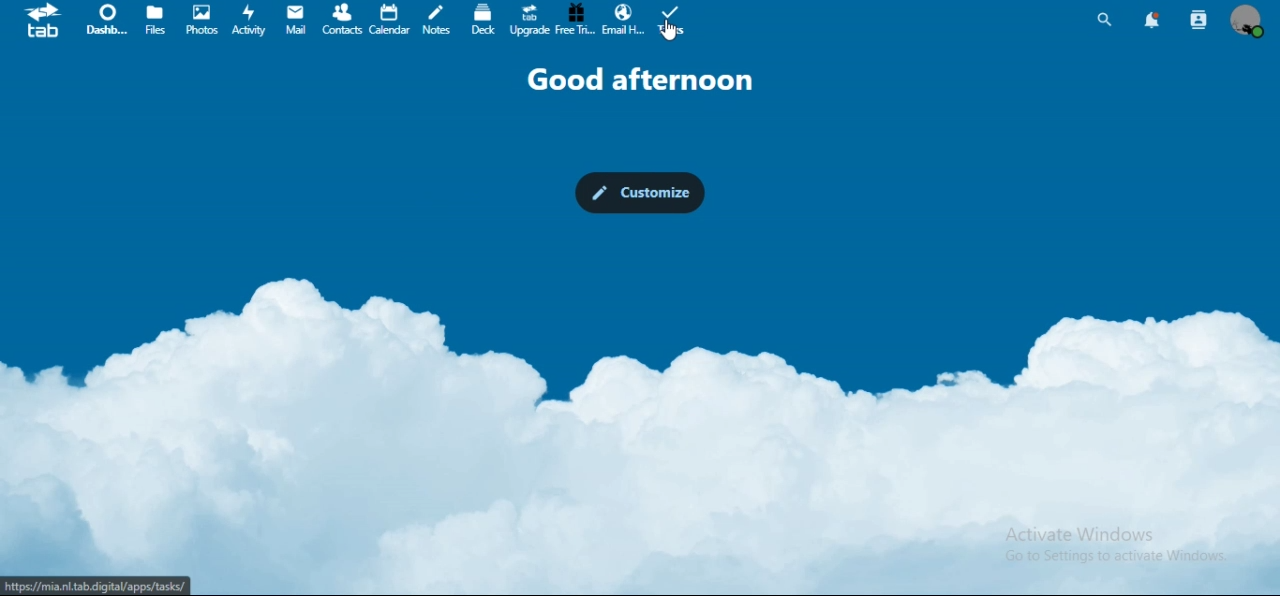  I want to click on , so click(669, 32).